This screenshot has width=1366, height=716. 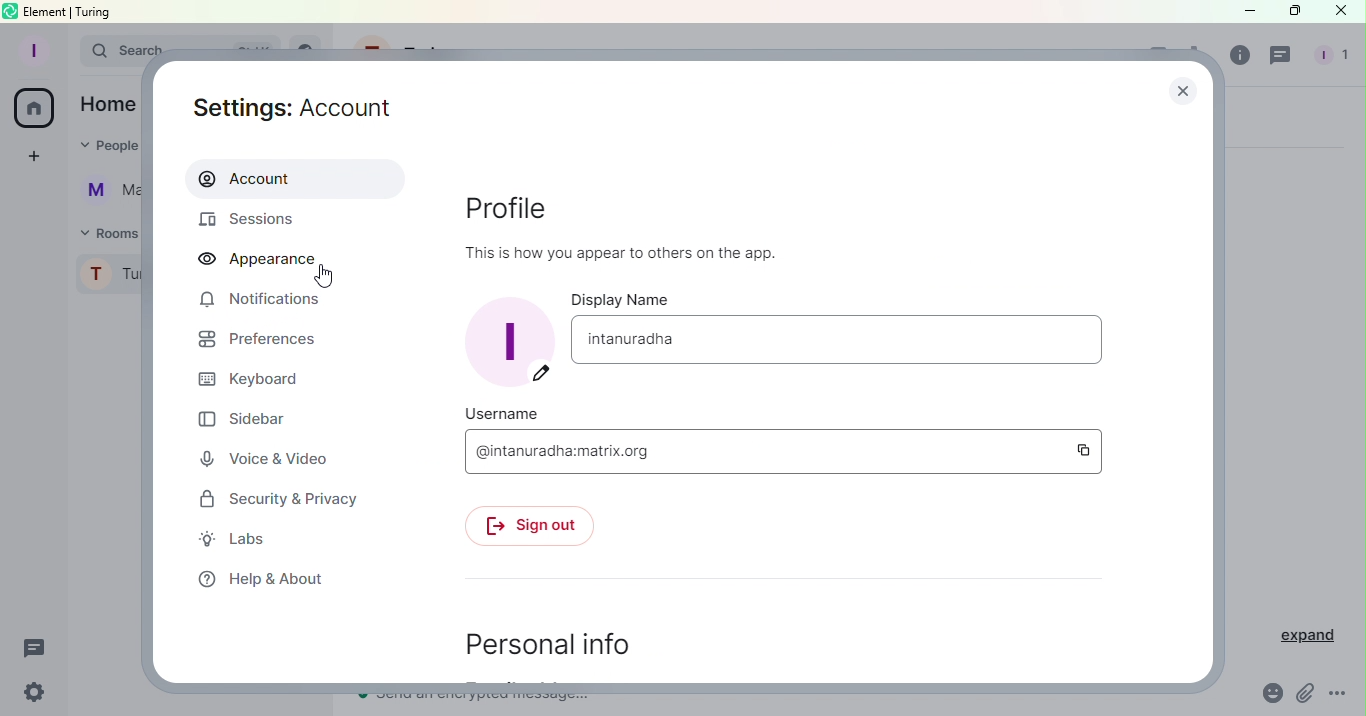 I want to click on Create a space, so click(x=34, y=156).